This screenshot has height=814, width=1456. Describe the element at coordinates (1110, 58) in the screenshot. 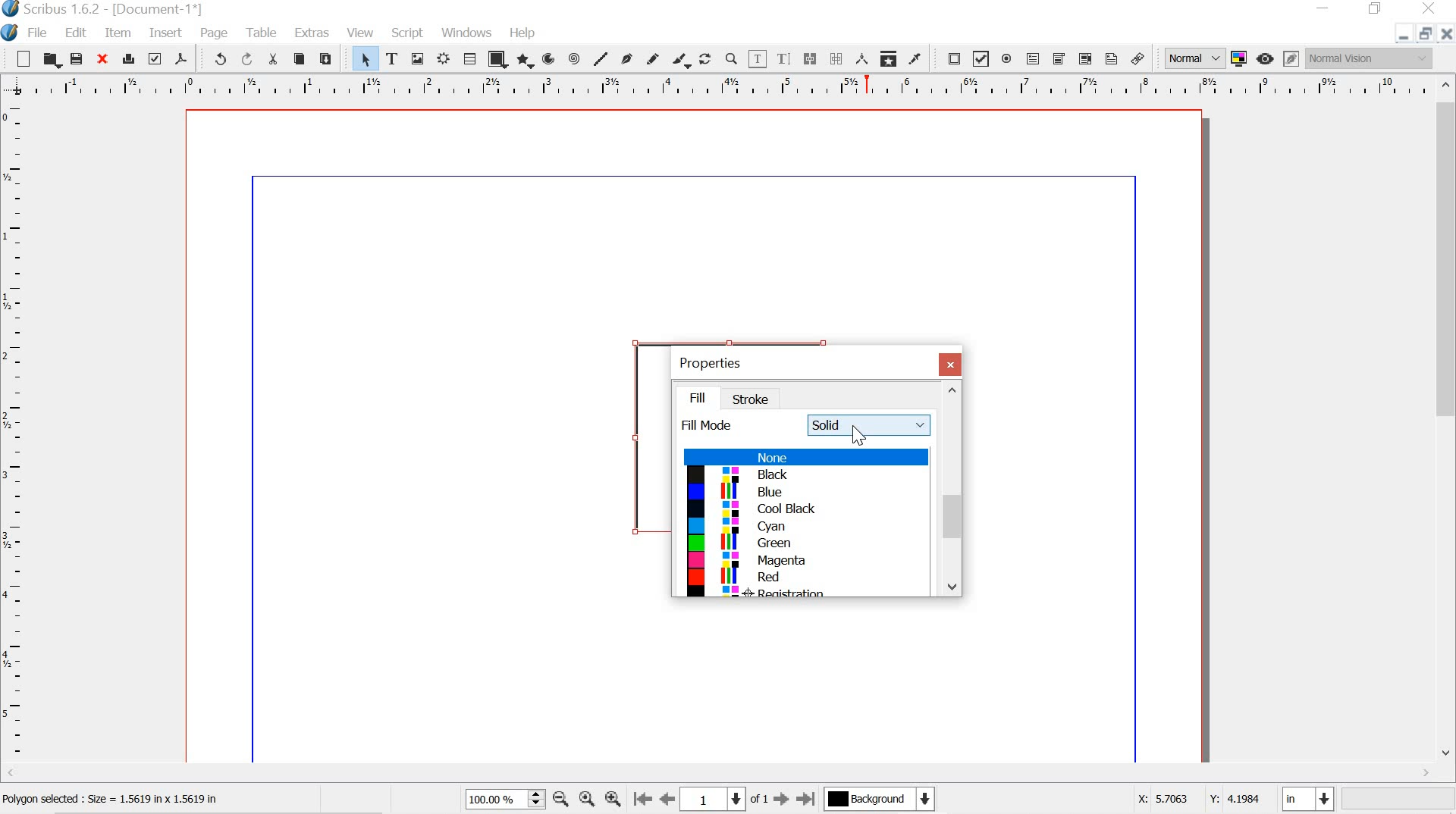

I see `text annotation` at that location.